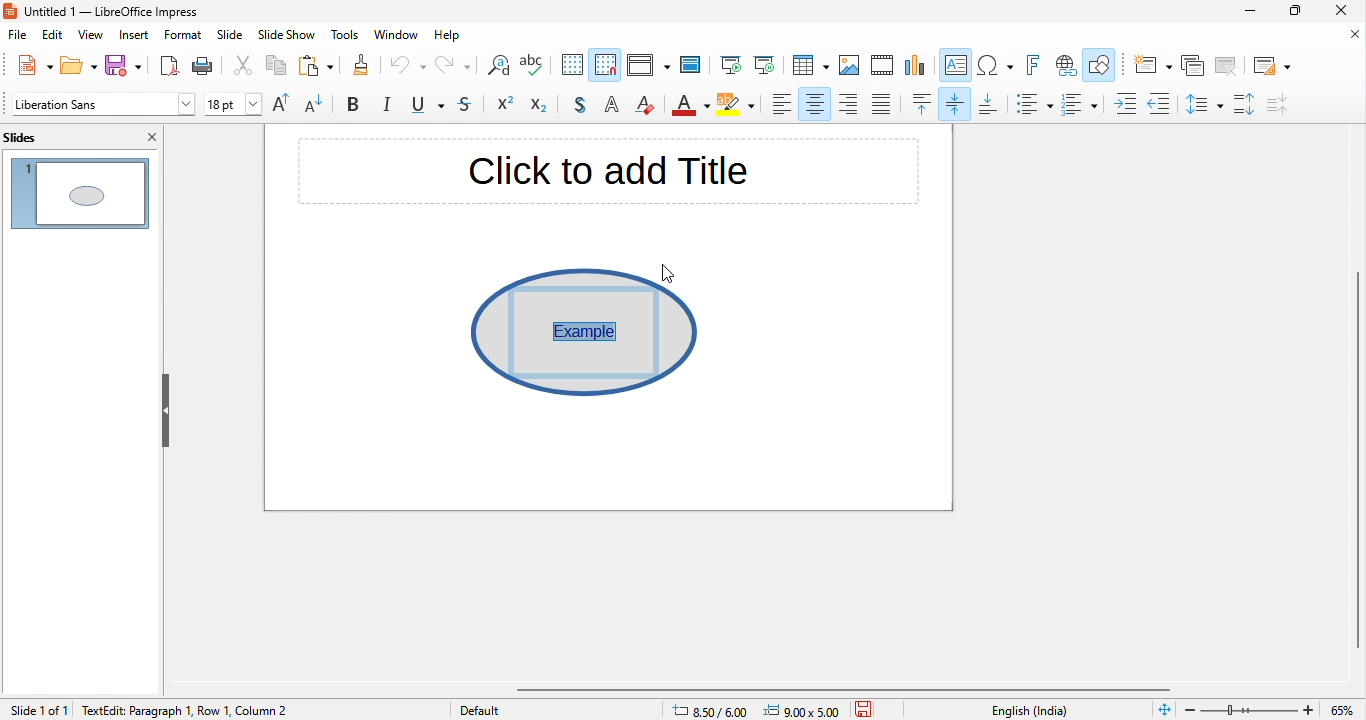  What do you see at coordinates (815, 104) in the screenshot?
I see `align center` at bounding box center [815, 104].